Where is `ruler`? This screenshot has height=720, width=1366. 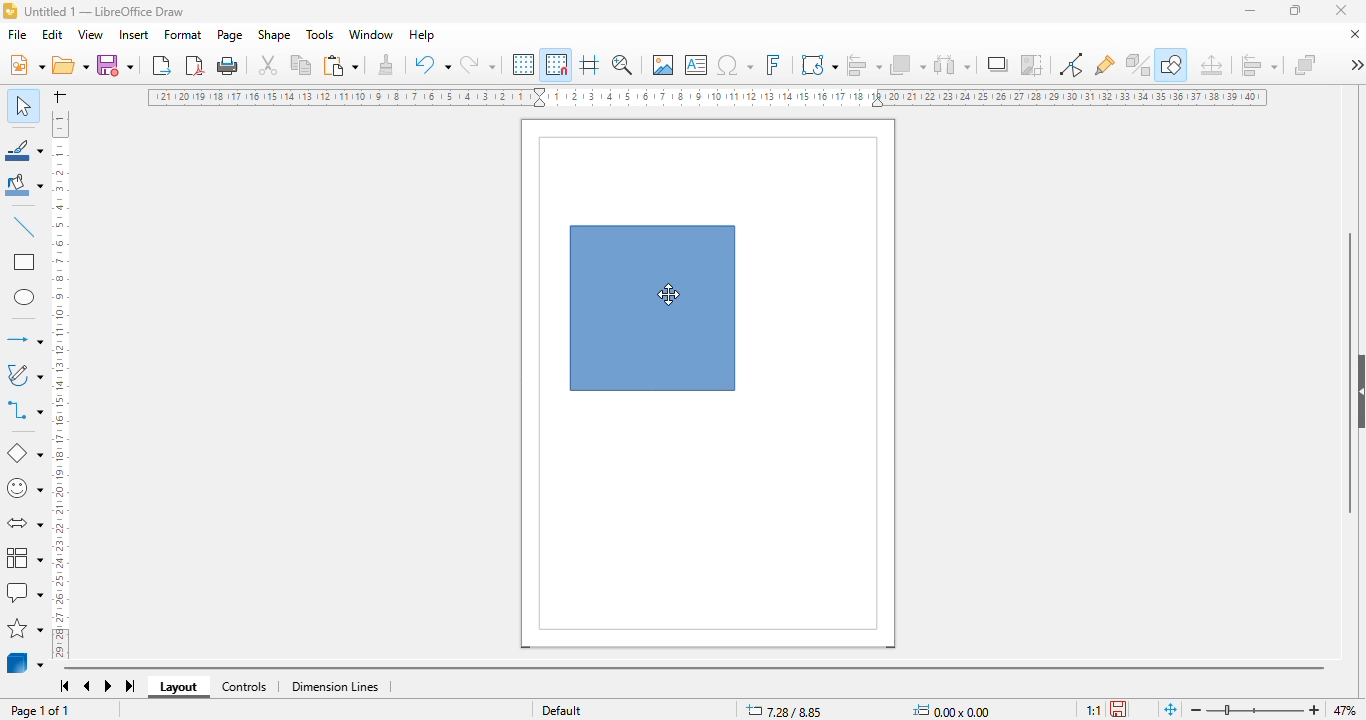 ruler is located at coordinates (61, 382).